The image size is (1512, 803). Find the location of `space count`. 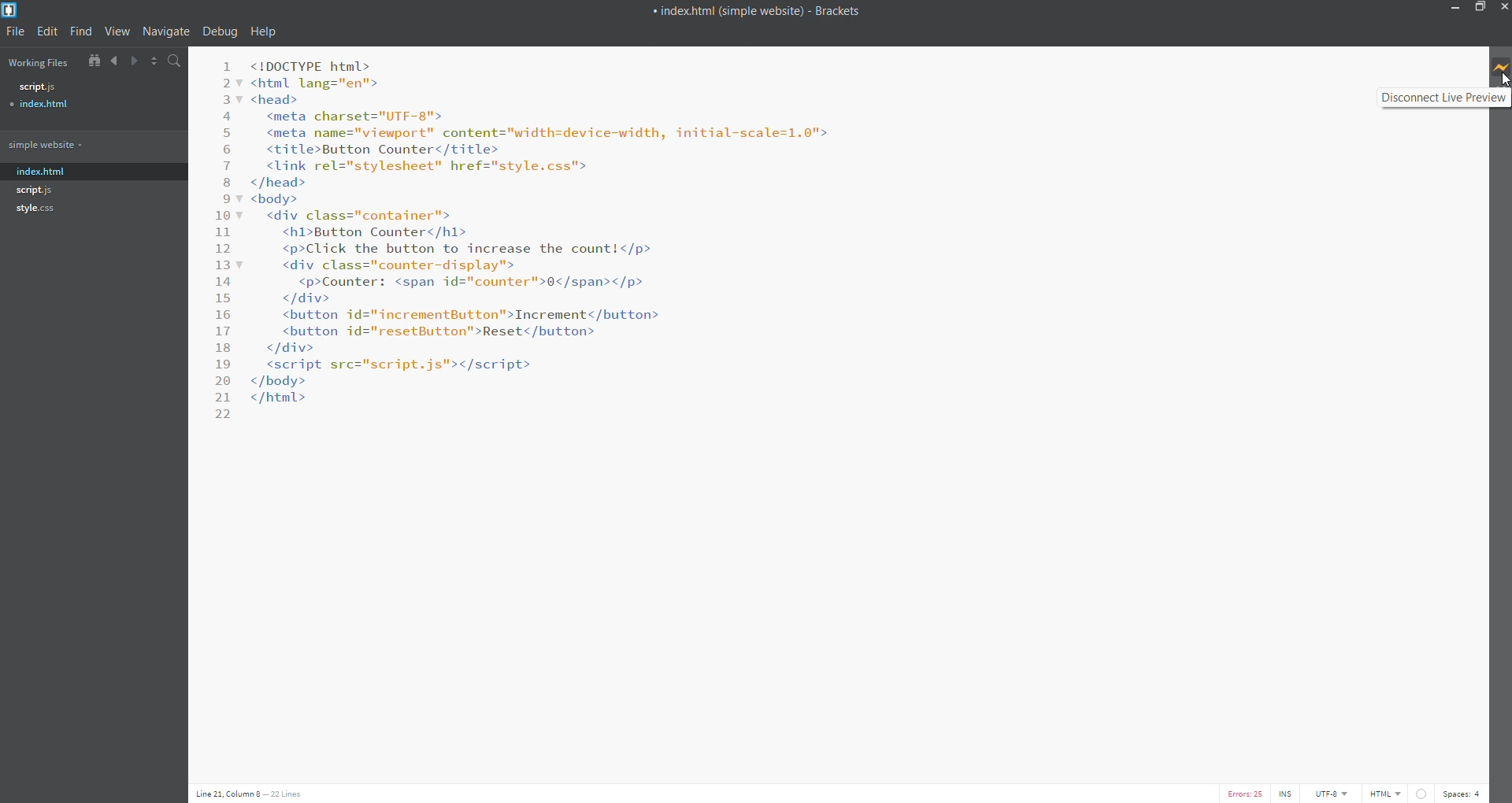

space count is located at coordinates (1460, 794).